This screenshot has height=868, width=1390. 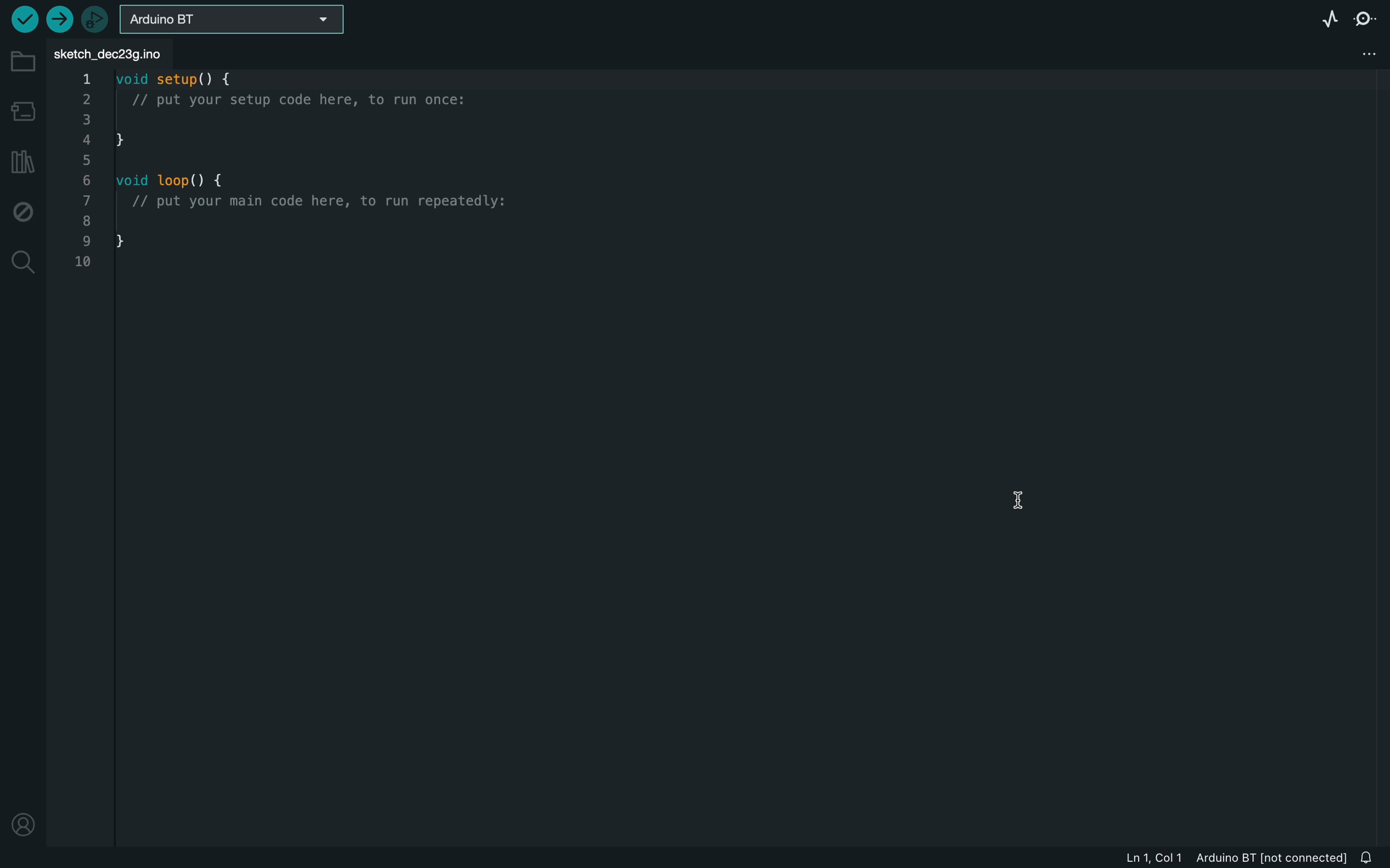 I want to click on file tab, so click(x=111, y=52).